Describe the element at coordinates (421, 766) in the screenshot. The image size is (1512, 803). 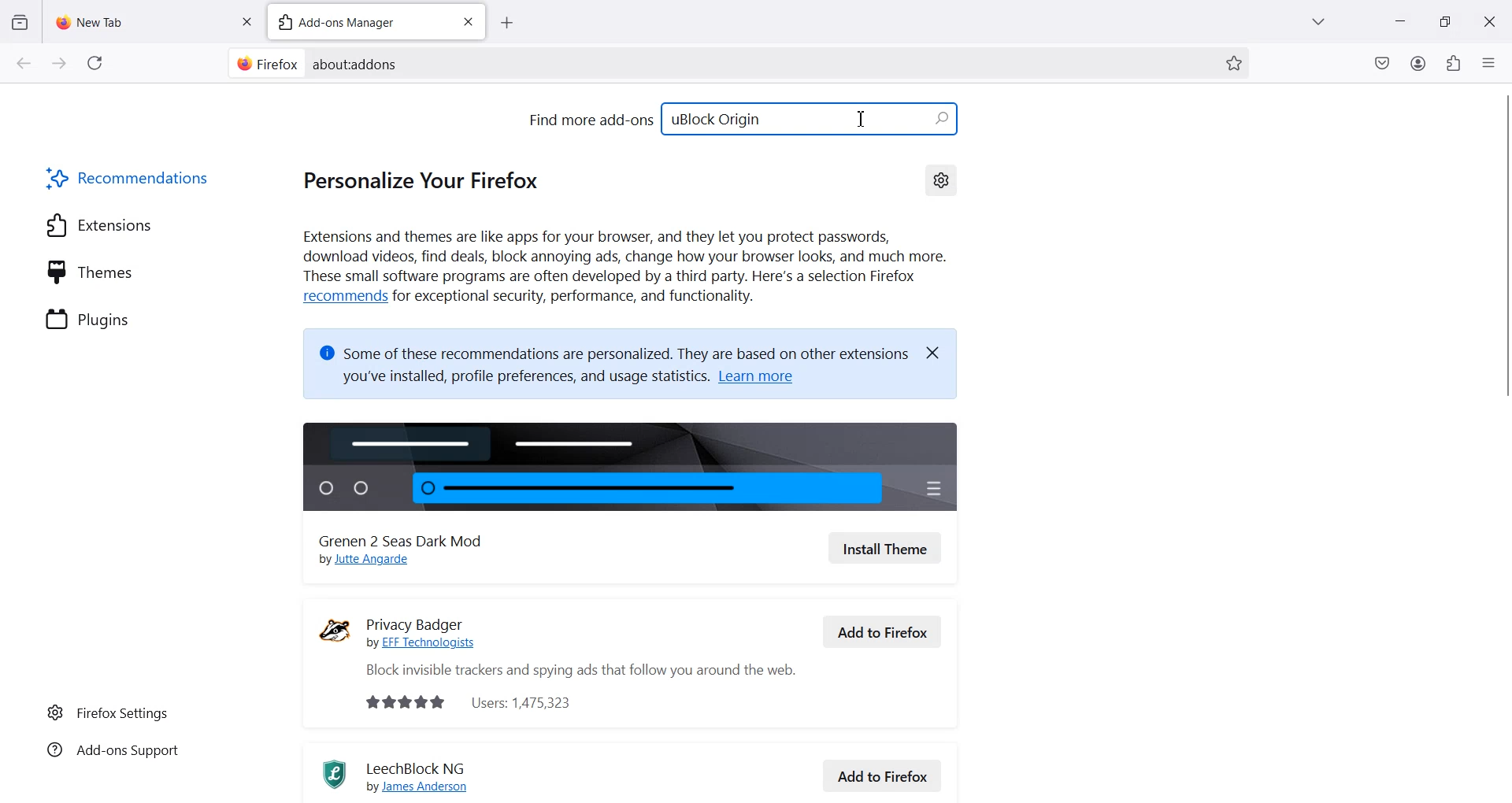
I see `LeechBlock NG` at that location.